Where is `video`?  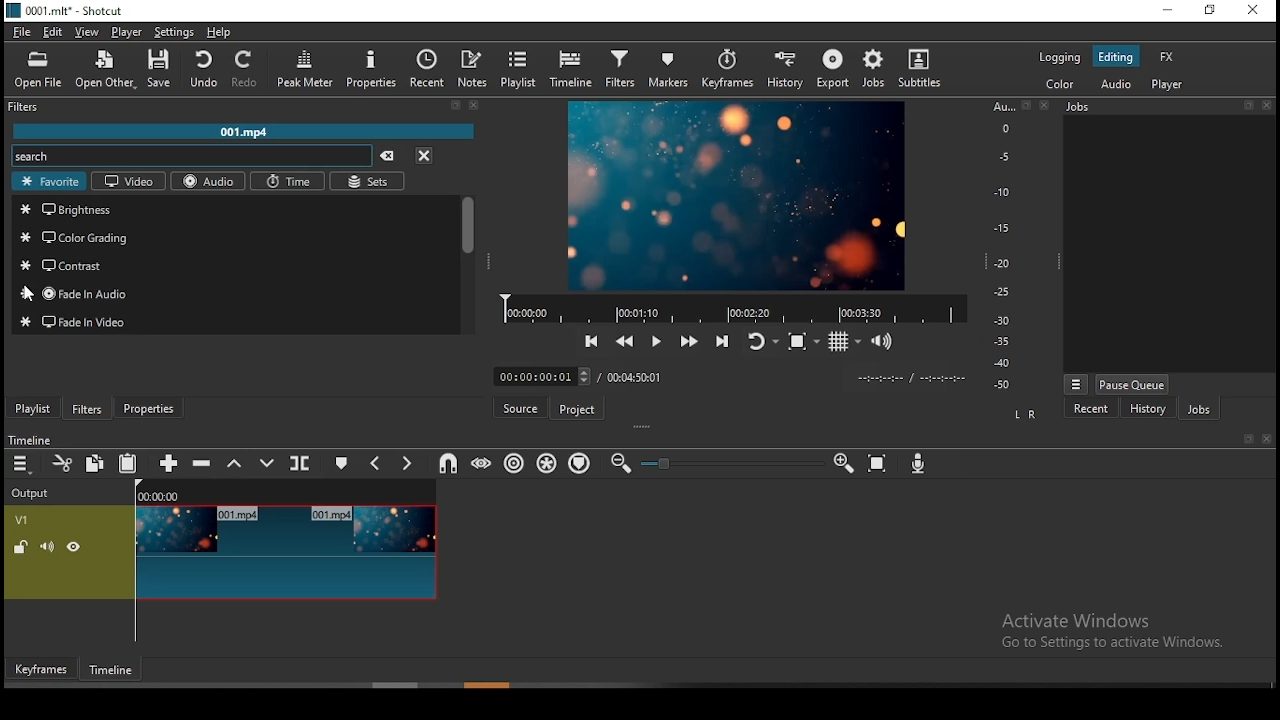
video is located at coordinates (128, 183).